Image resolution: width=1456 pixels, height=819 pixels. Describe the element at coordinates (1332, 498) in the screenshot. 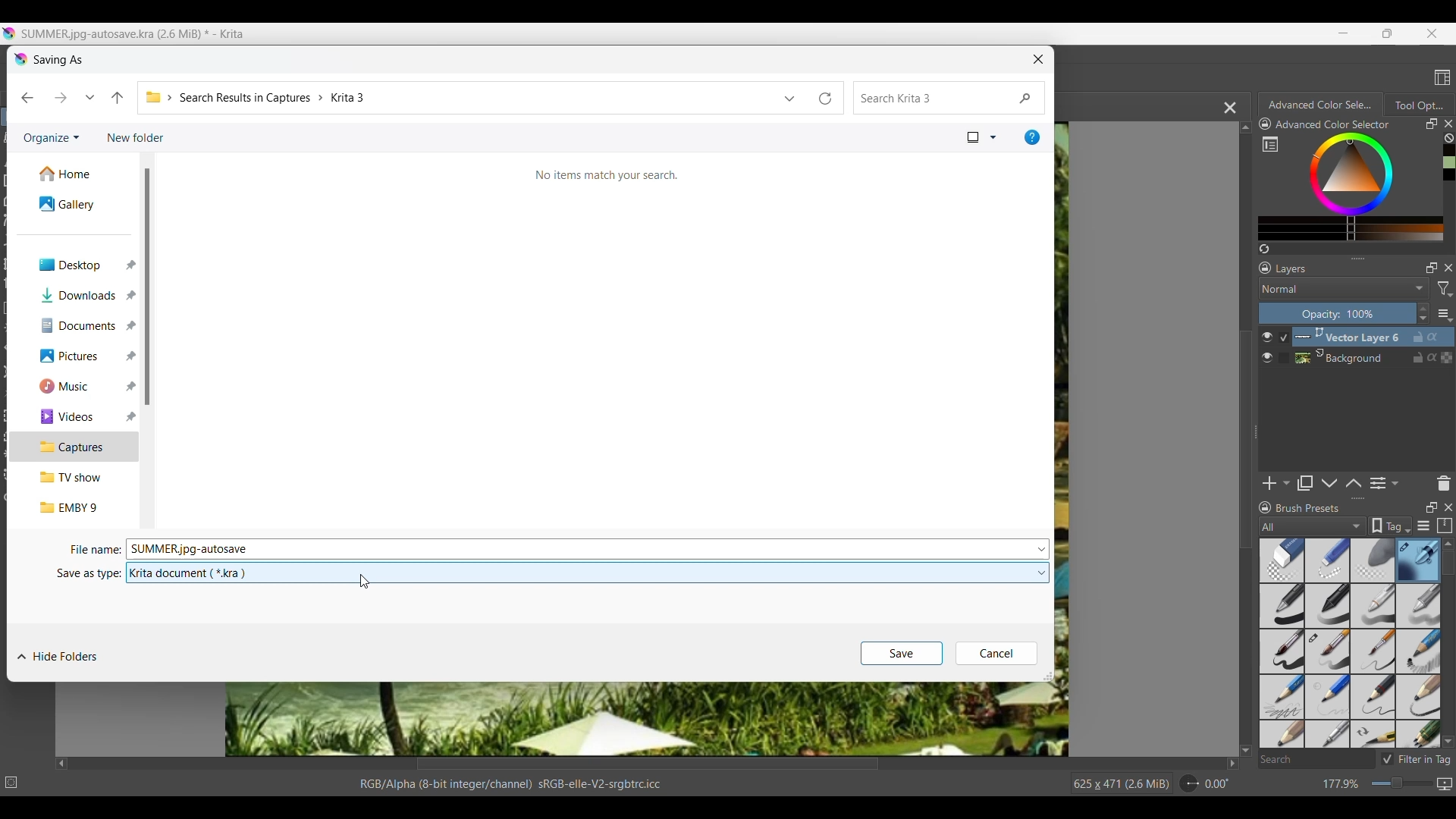

I see `Change height of panels attached to this line` at that location.